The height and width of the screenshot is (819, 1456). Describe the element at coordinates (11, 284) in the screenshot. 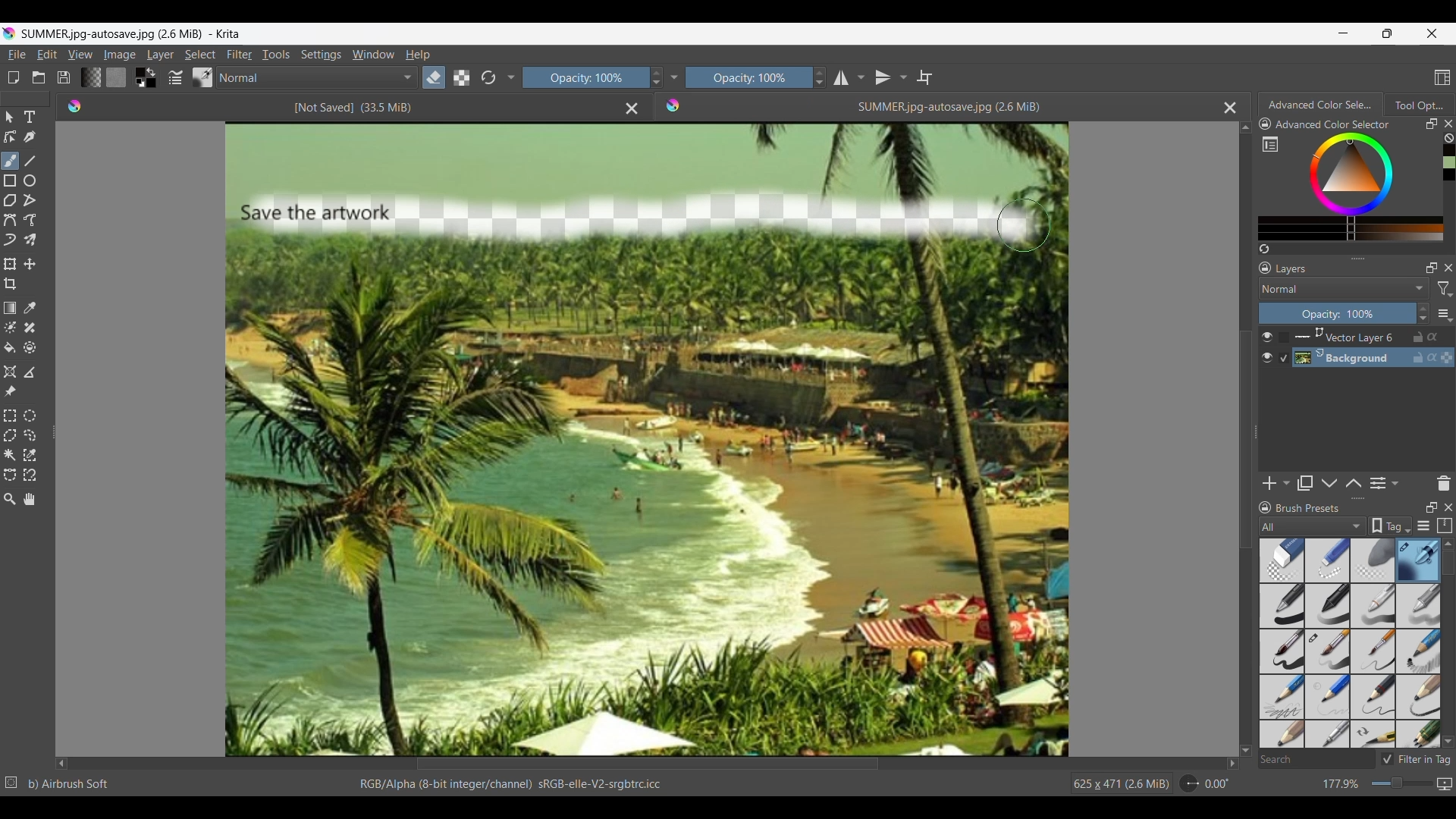

I see `Crop tool` at that location.